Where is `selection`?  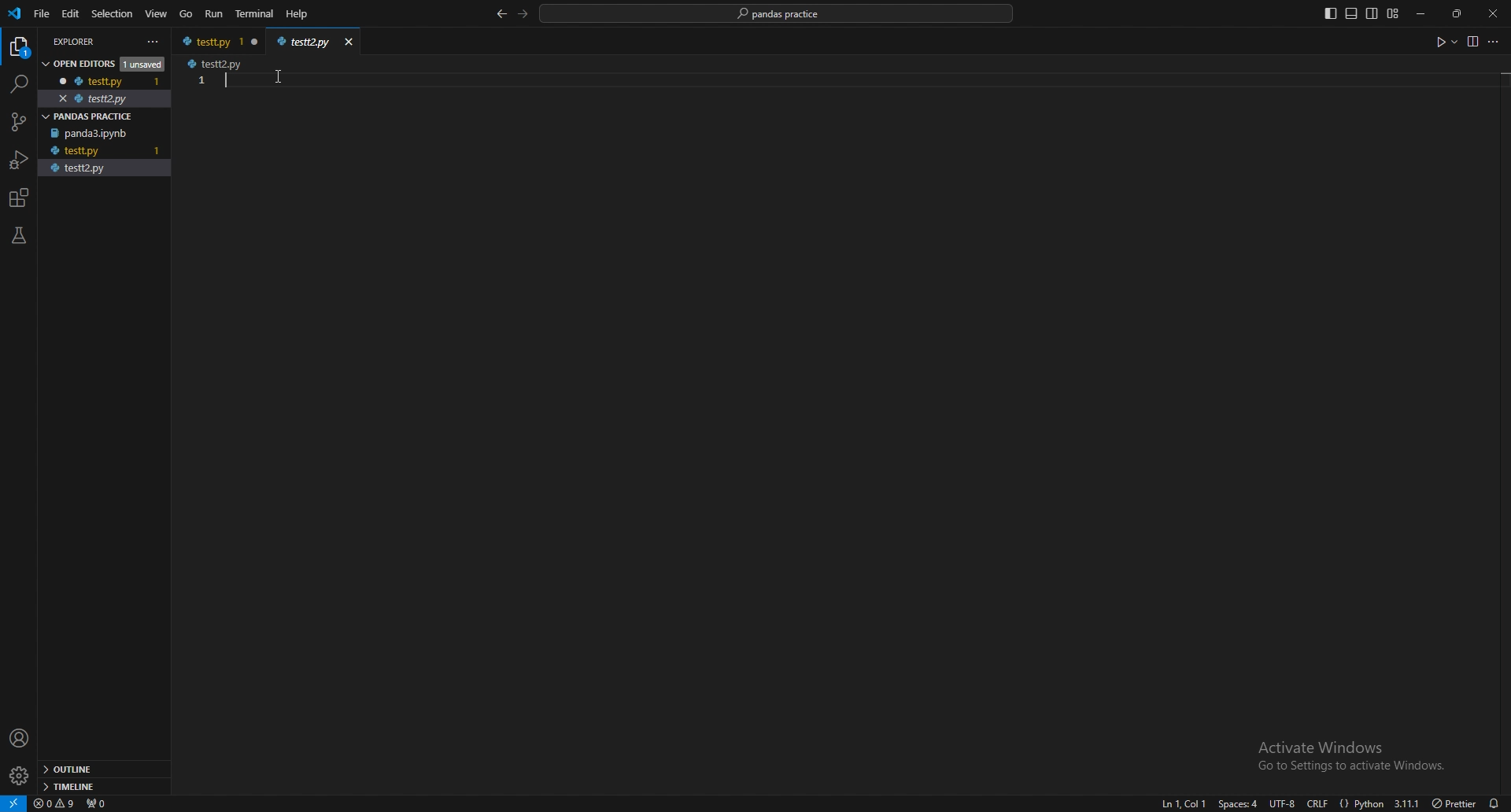 selection is located at coordinates (113, 13).